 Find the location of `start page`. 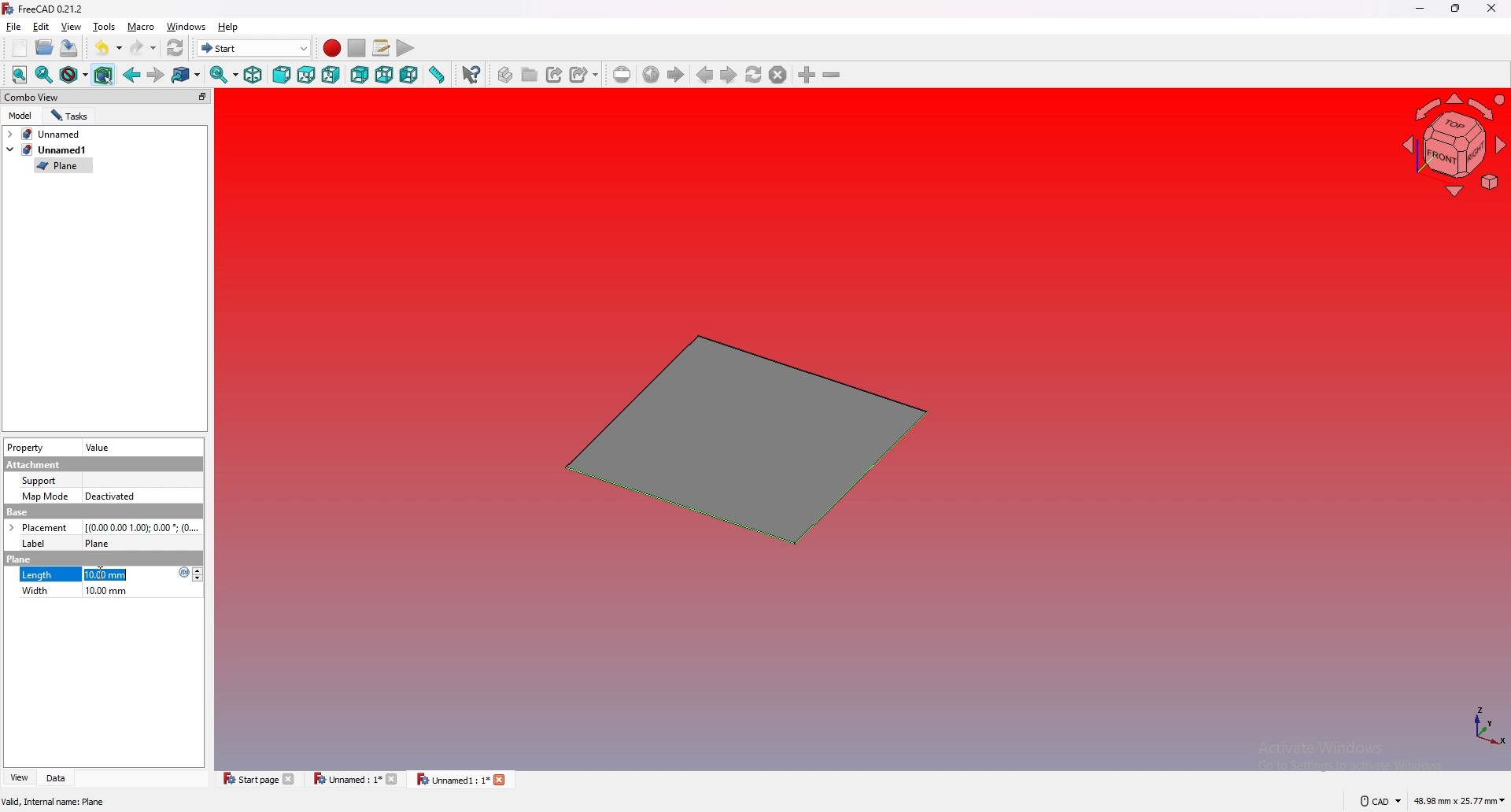

start page is located at coordinates (675, 75).